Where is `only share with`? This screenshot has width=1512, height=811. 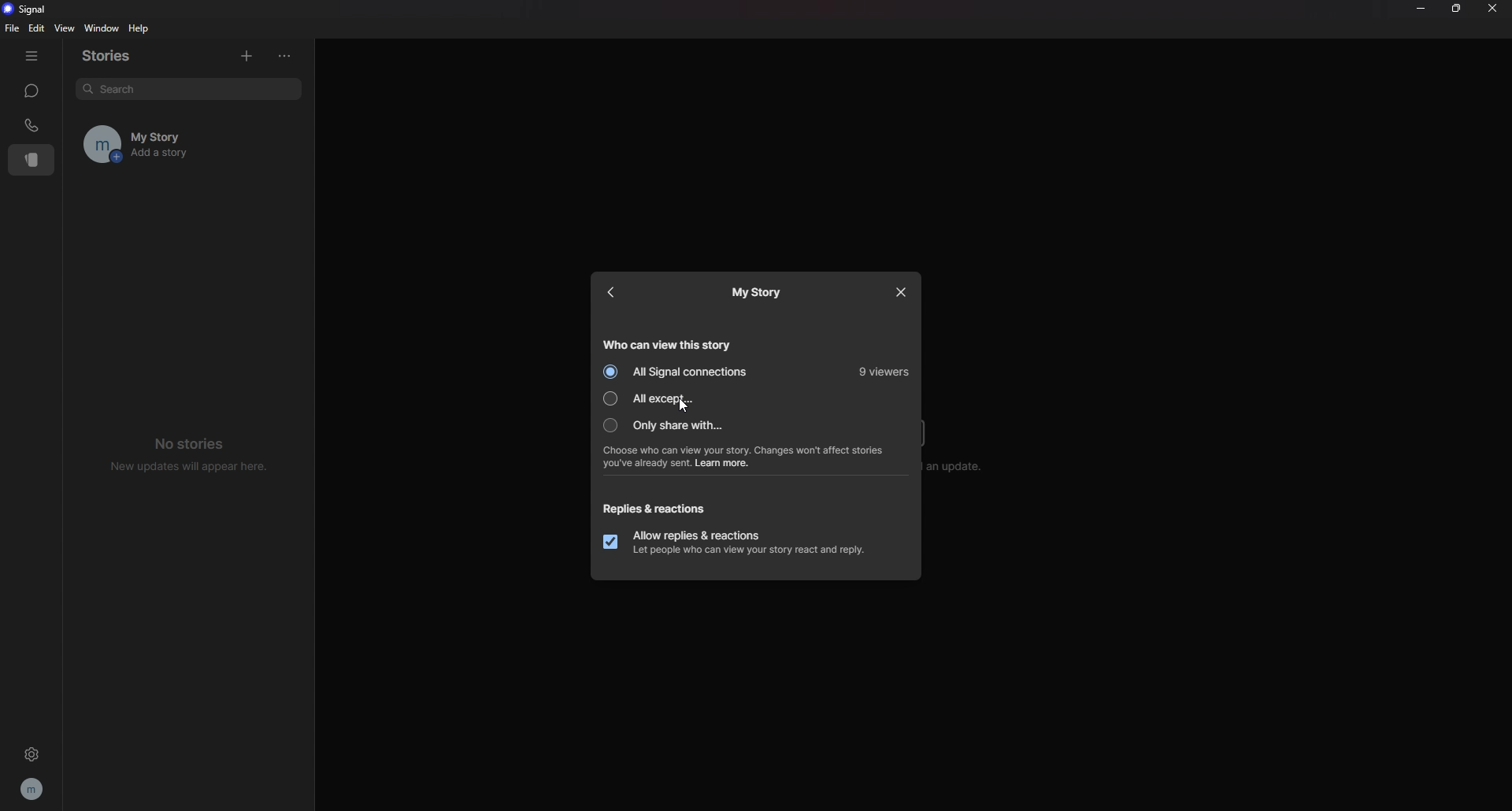
only share with is located at coordinates (674, 424).